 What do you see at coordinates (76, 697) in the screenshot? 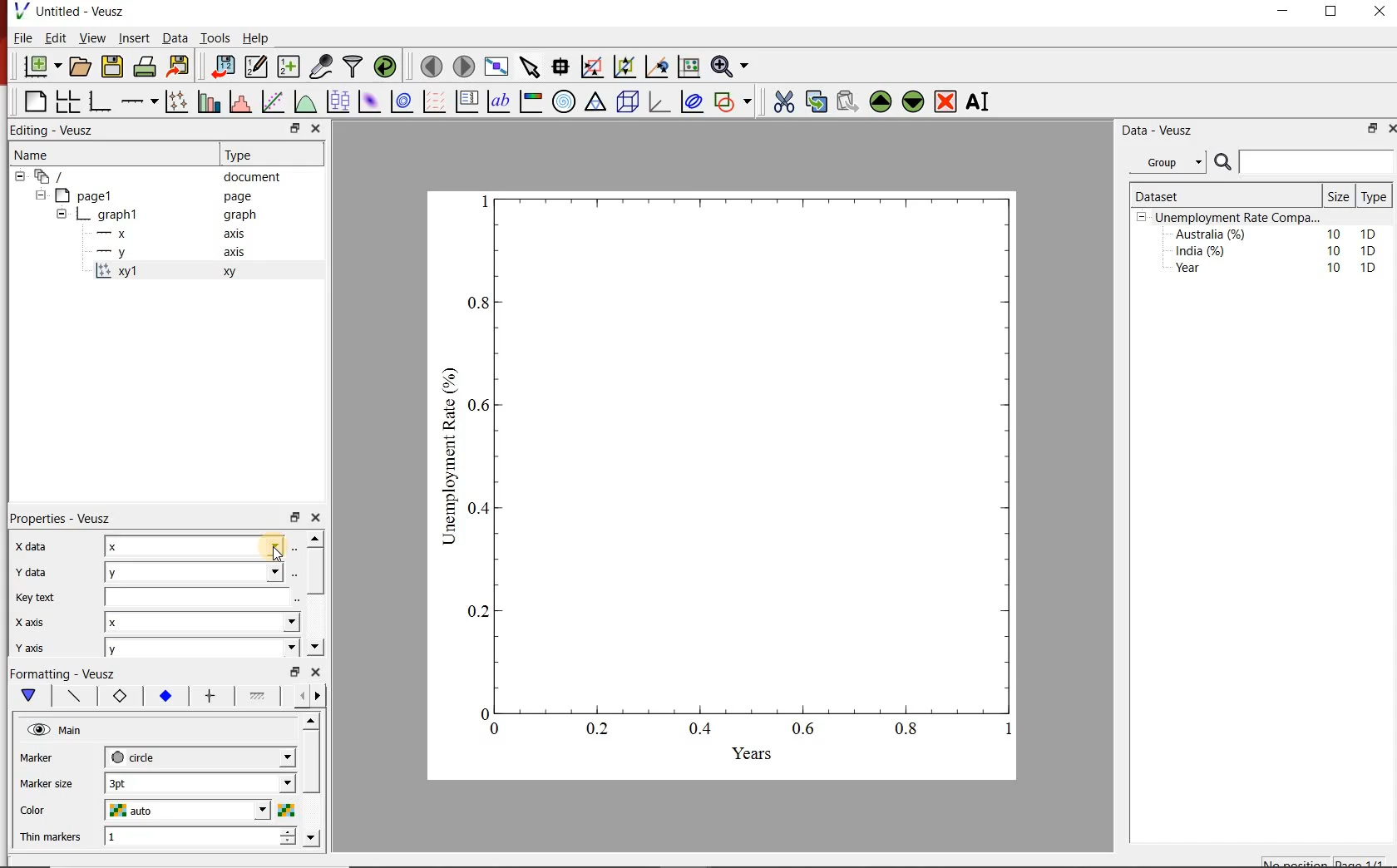
I see `plot line` at bounding box center [76, 697].